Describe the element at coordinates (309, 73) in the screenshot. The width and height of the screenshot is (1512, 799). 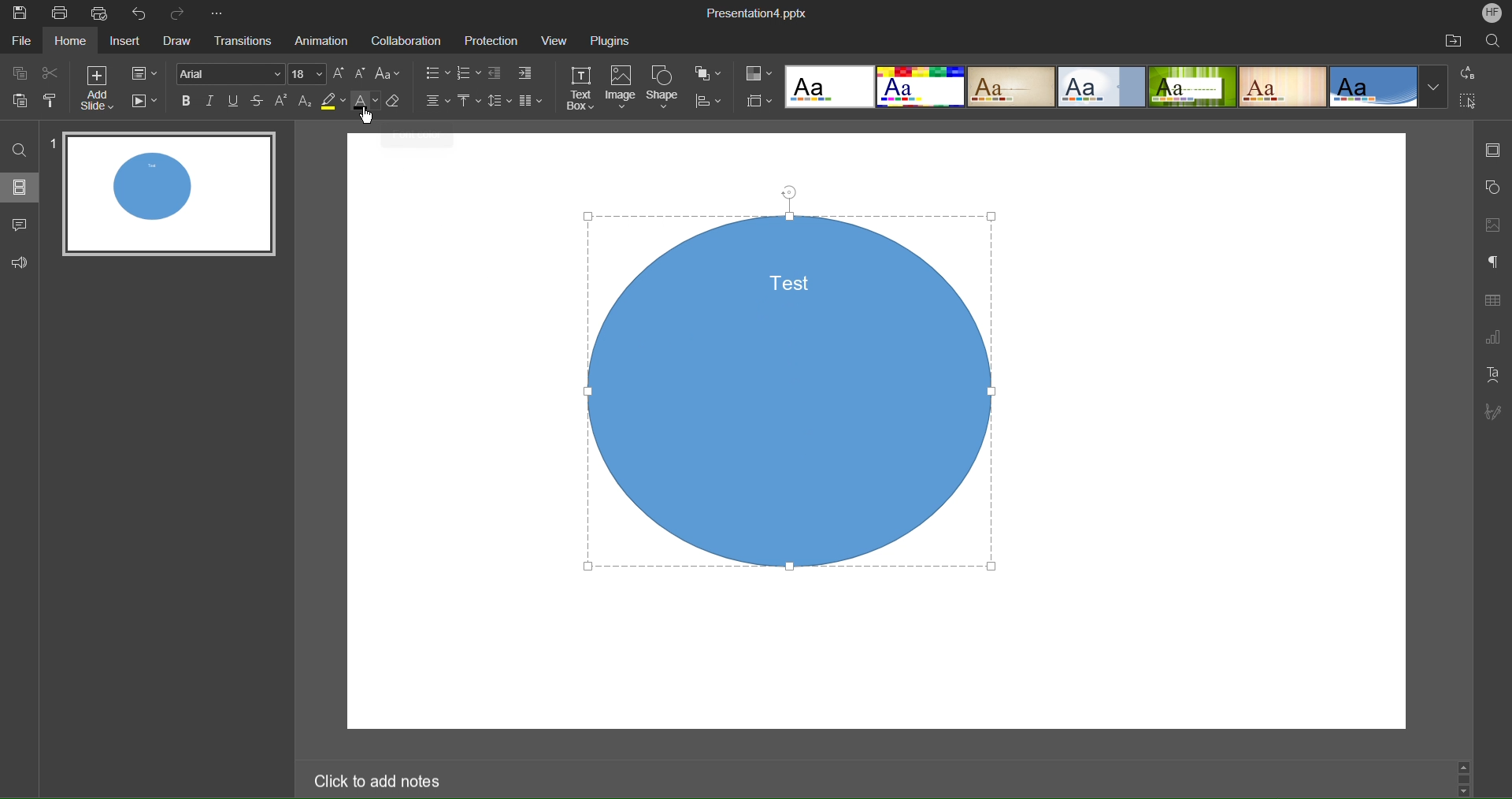
I see `Font size` at that location.